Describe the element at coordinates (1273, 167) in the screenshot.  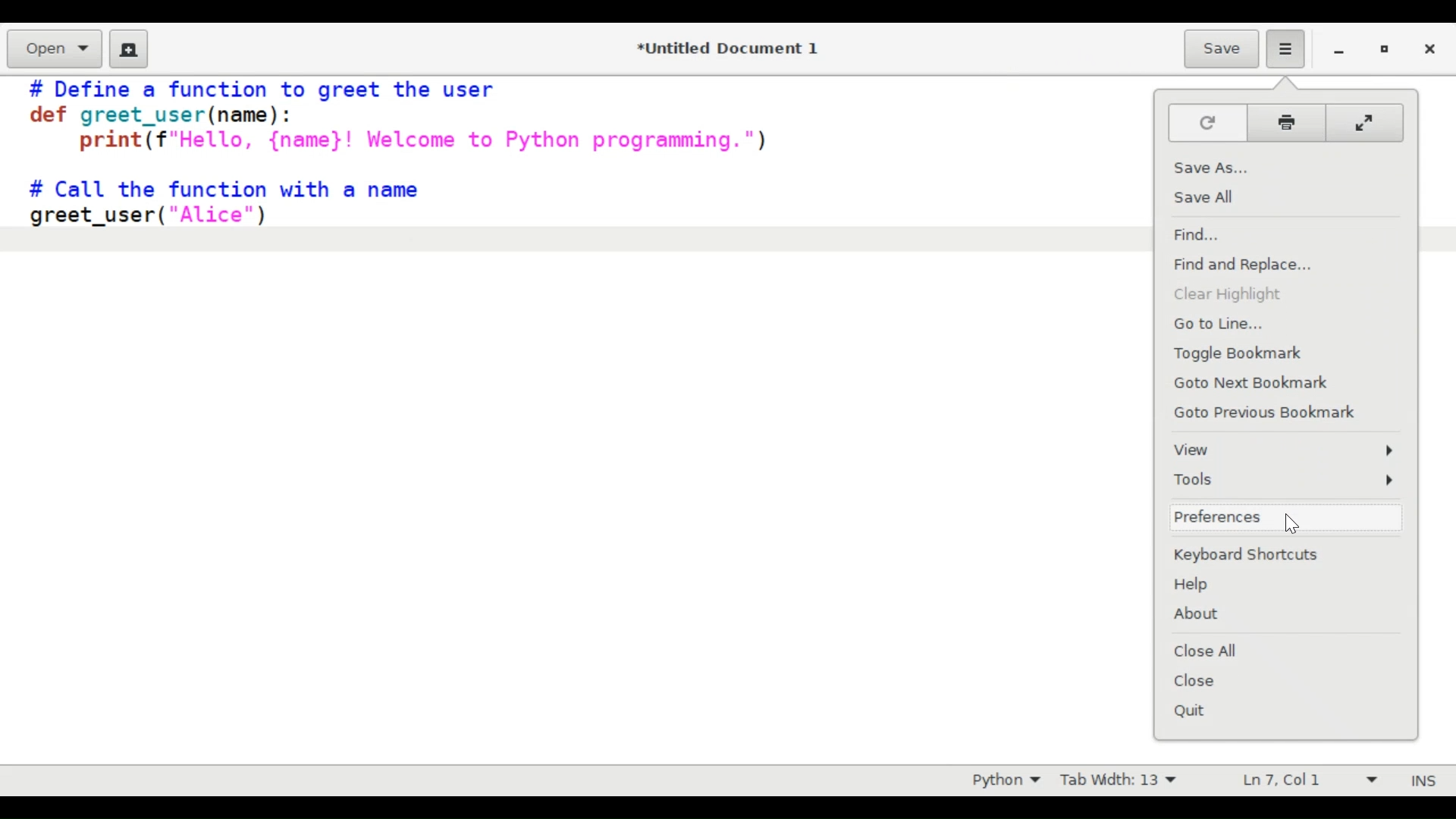
I see `Save As` at that location.